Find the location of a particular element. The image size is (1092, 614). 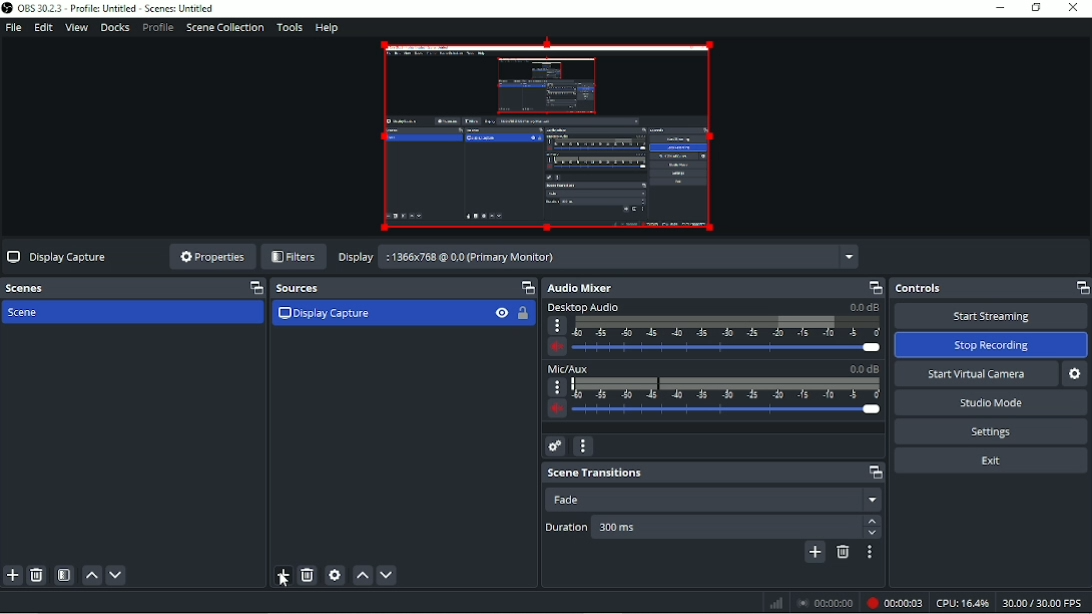

Stop recording is located at coordinates (989, 344).